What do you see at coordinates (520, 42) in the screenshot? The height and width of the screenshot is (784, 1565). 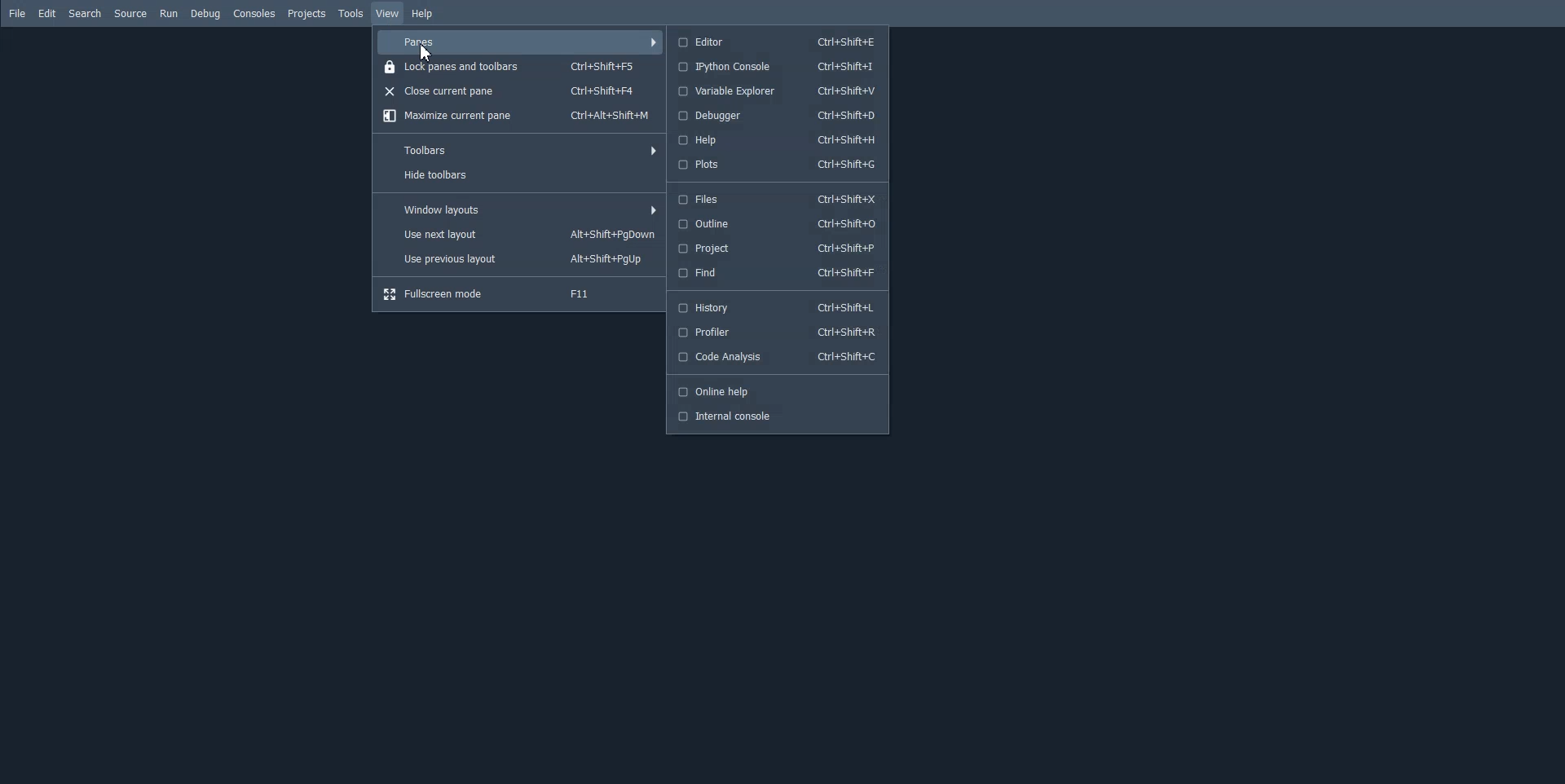 I see `Panes` at bounding box center [520, 42].